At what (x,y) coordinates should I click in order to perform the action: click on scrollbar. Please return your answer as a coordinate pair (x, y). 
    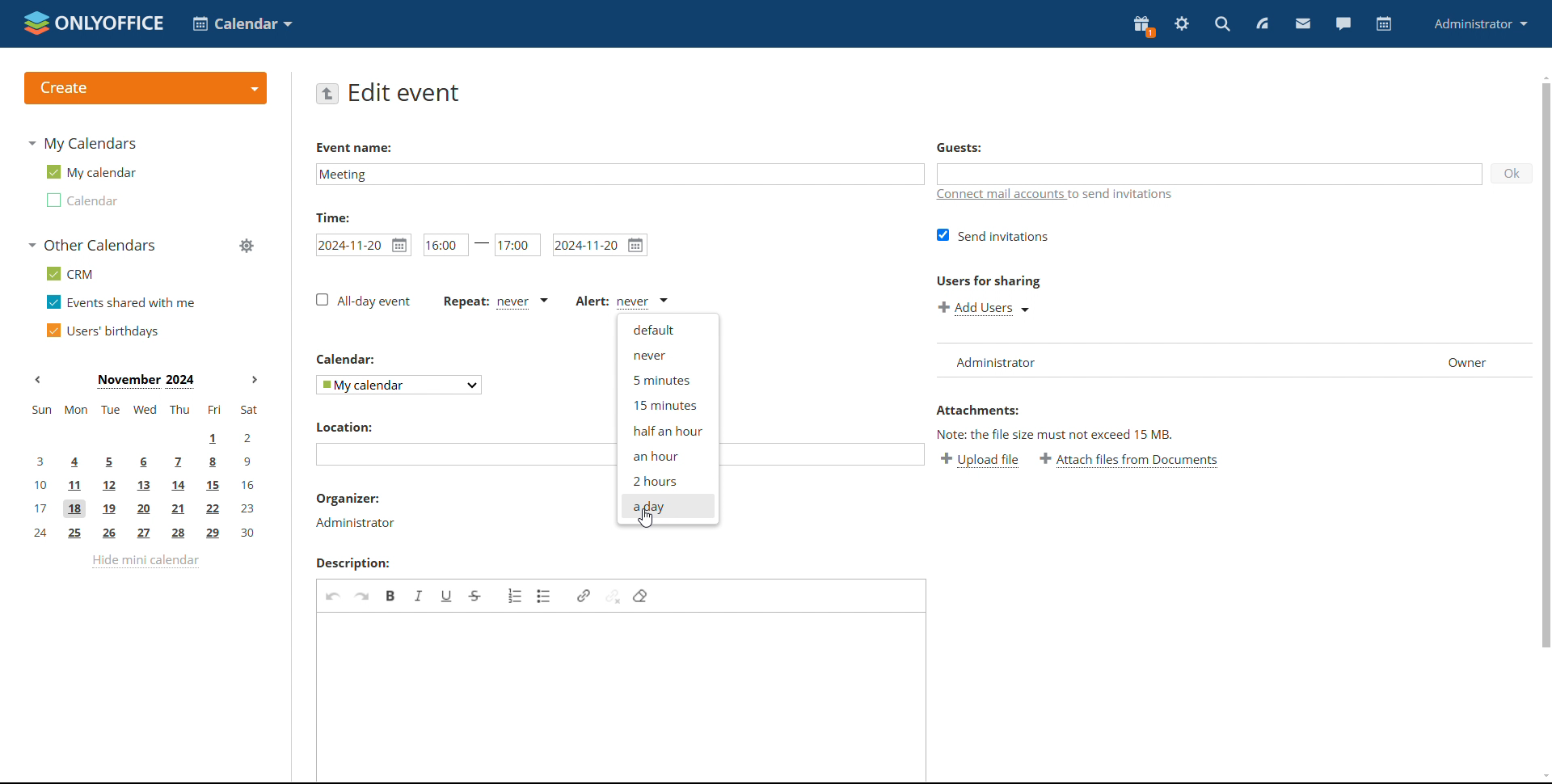
    Looking at the image, I should click on (1547, 364).